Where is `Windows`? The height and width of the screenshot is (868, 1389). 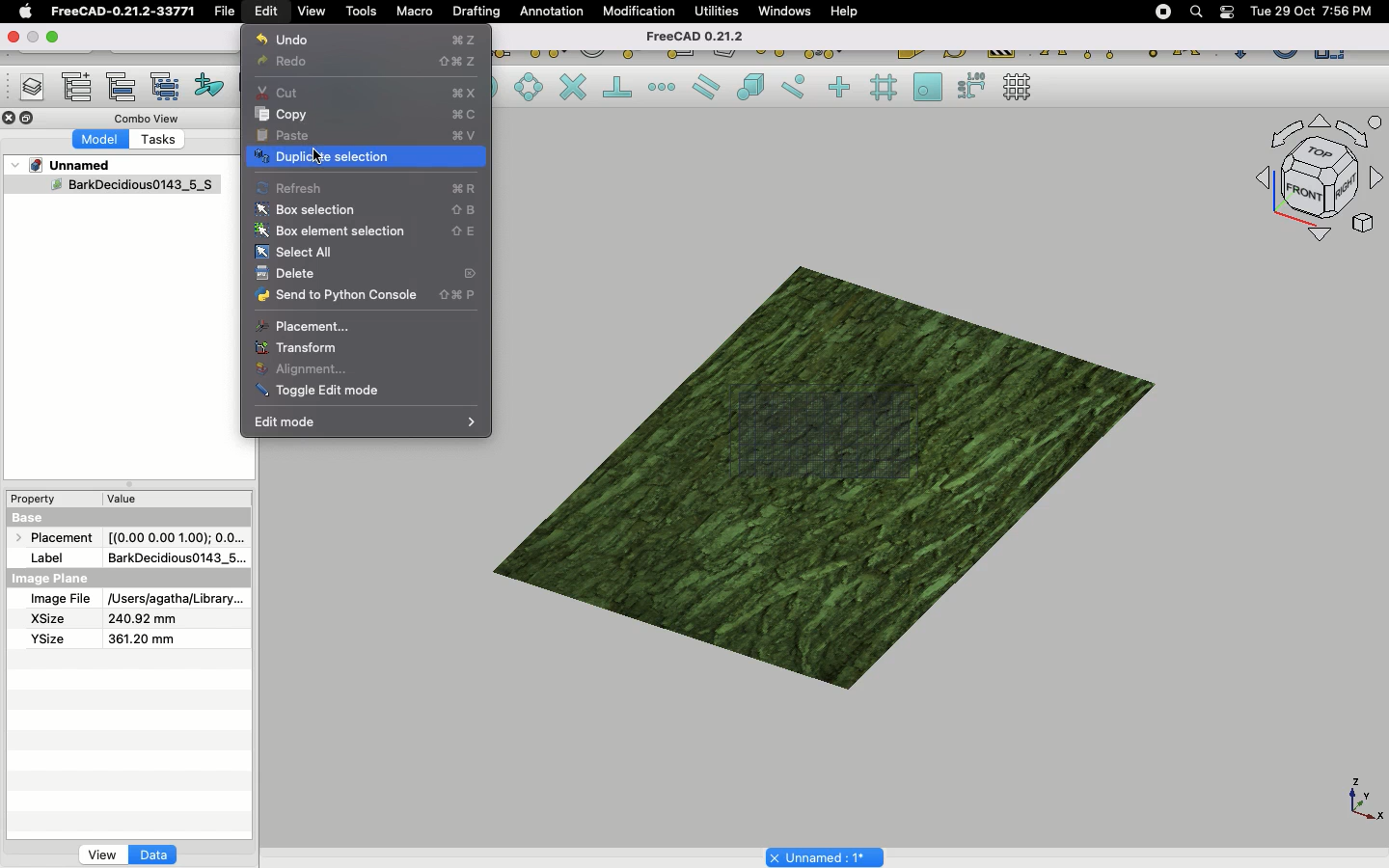
Windows is located at coordinates (789, 14).